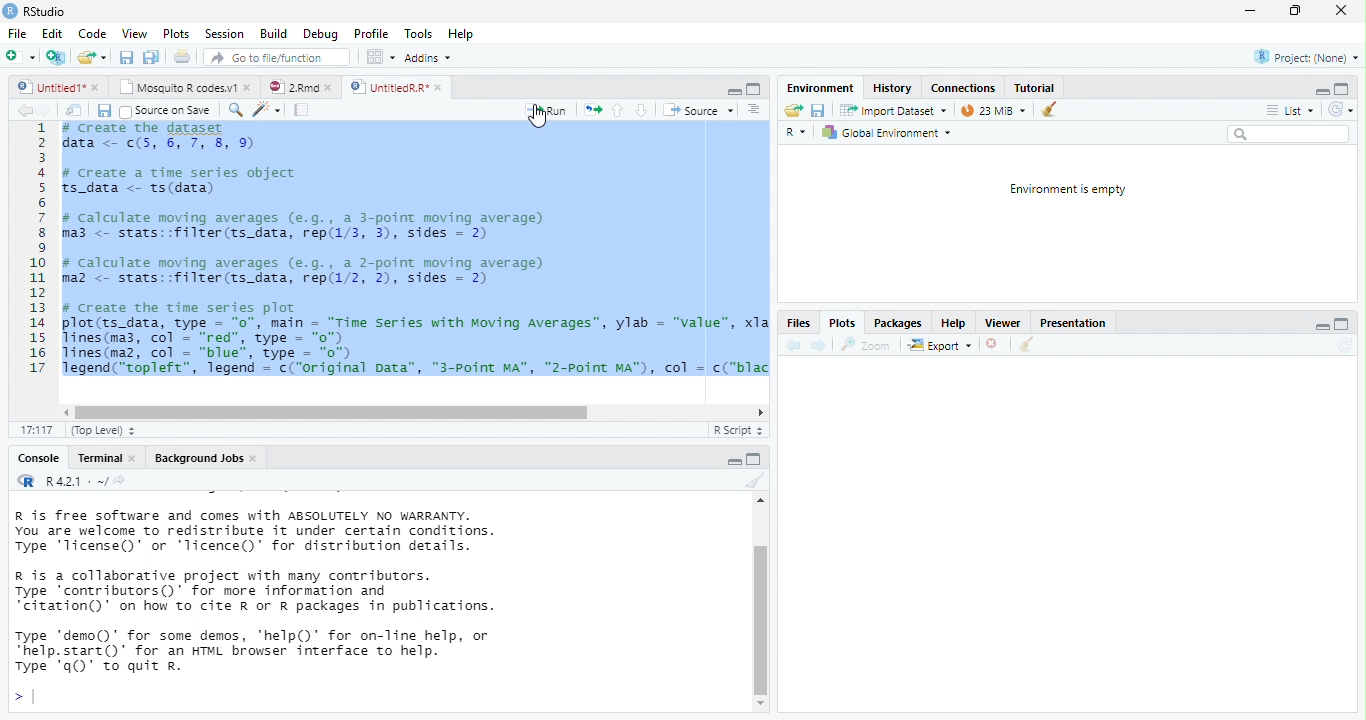 The image size is (1366, 720). I want to click on Connections, so click(962, 88).